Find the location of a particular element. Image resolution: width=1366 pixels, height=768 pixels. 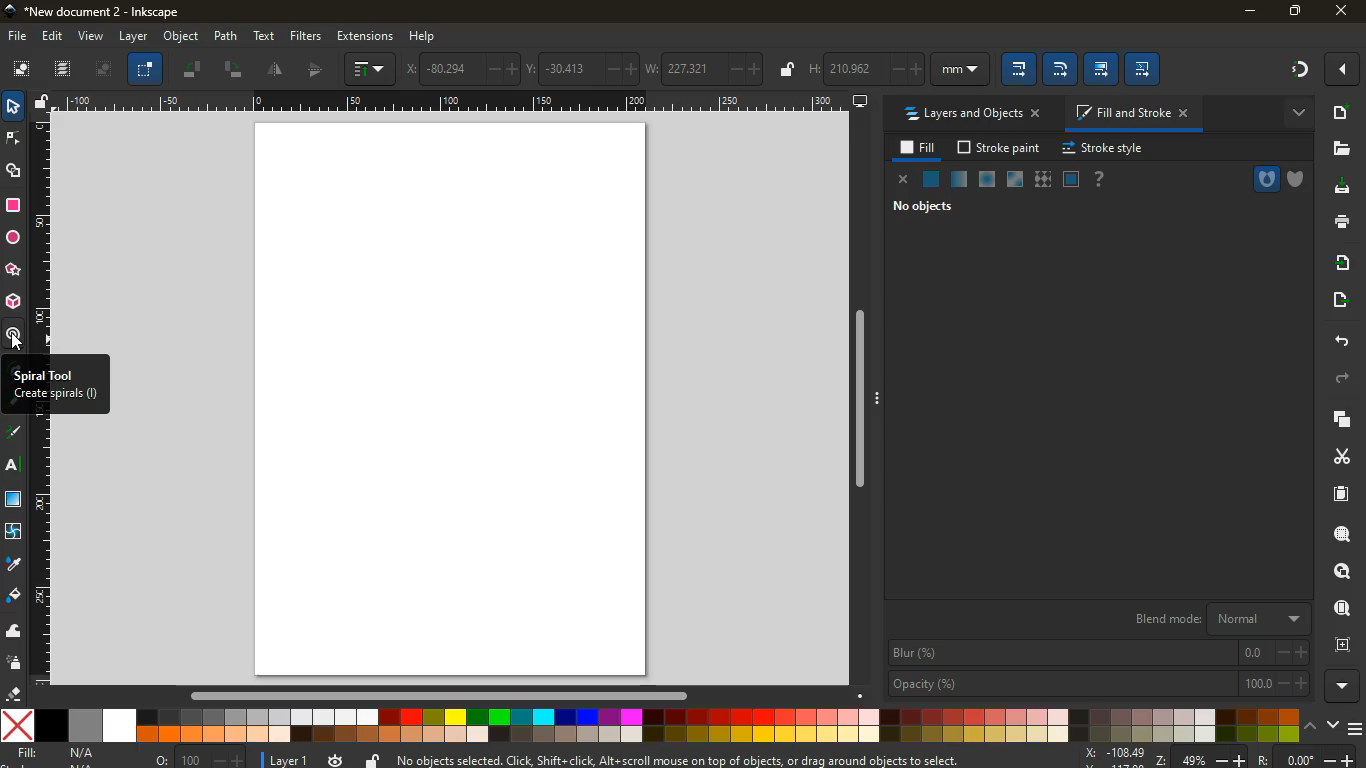

print is located at coordinates (1340, 223).